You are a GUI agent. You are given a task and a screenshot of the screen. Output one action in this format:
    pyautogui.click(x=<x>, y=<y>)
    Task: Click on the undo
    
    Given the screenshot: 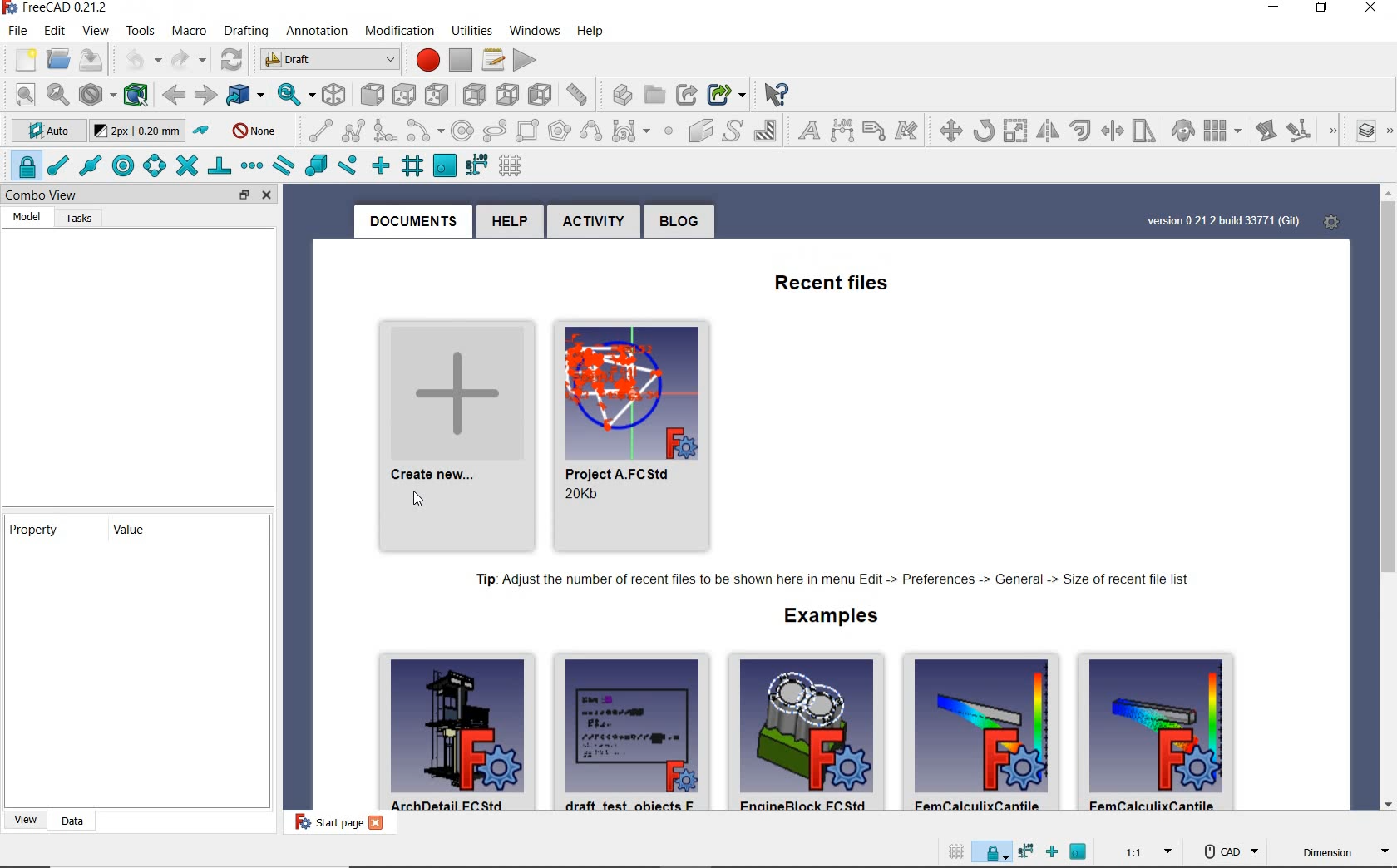 What is the action you would take?
    pyautogui.click(x=131, y=60)
    